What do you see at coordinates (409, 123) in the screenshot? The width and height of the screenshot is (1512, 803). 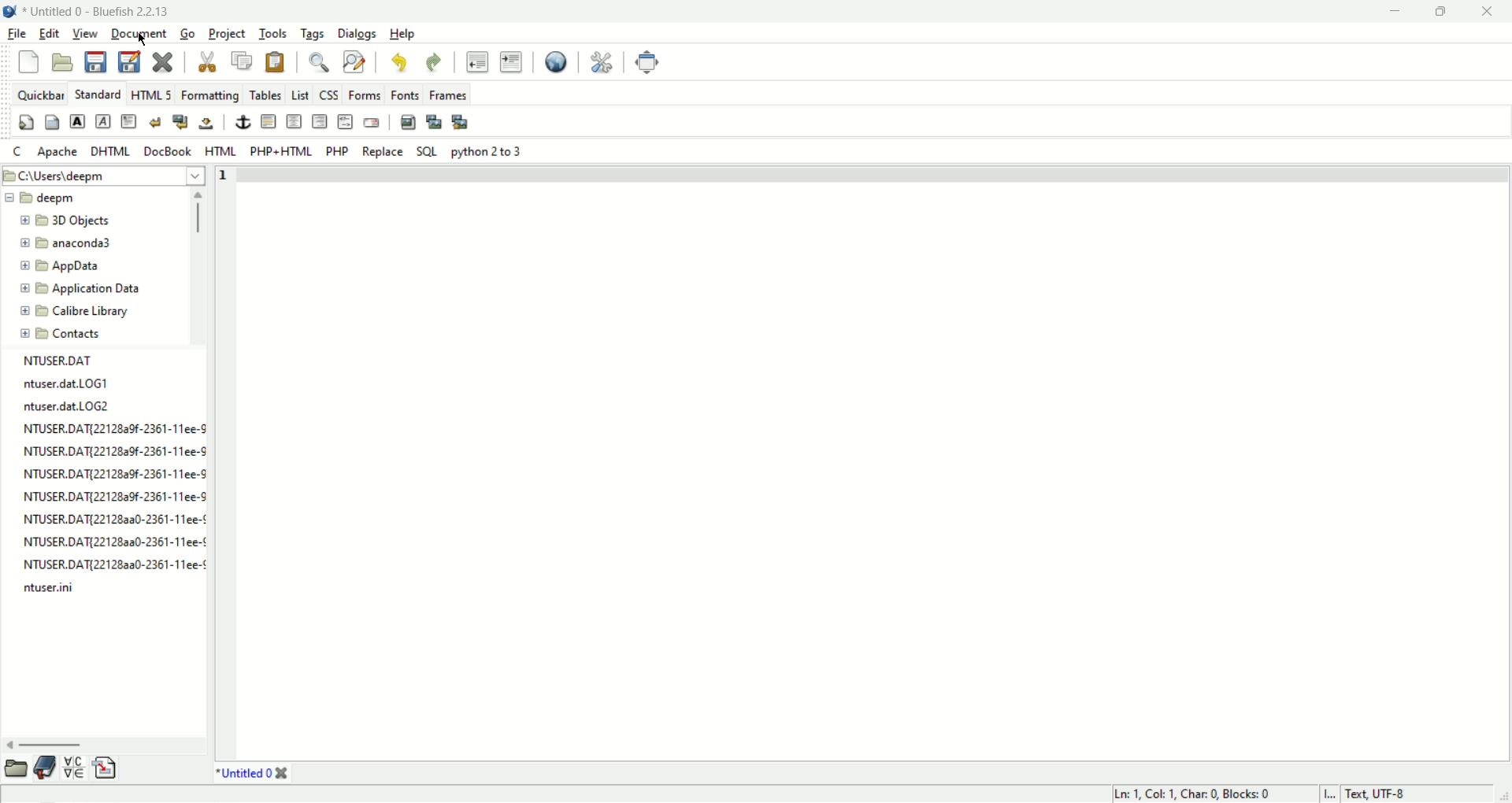 I see `insert image` at bounding box center [409, 123].